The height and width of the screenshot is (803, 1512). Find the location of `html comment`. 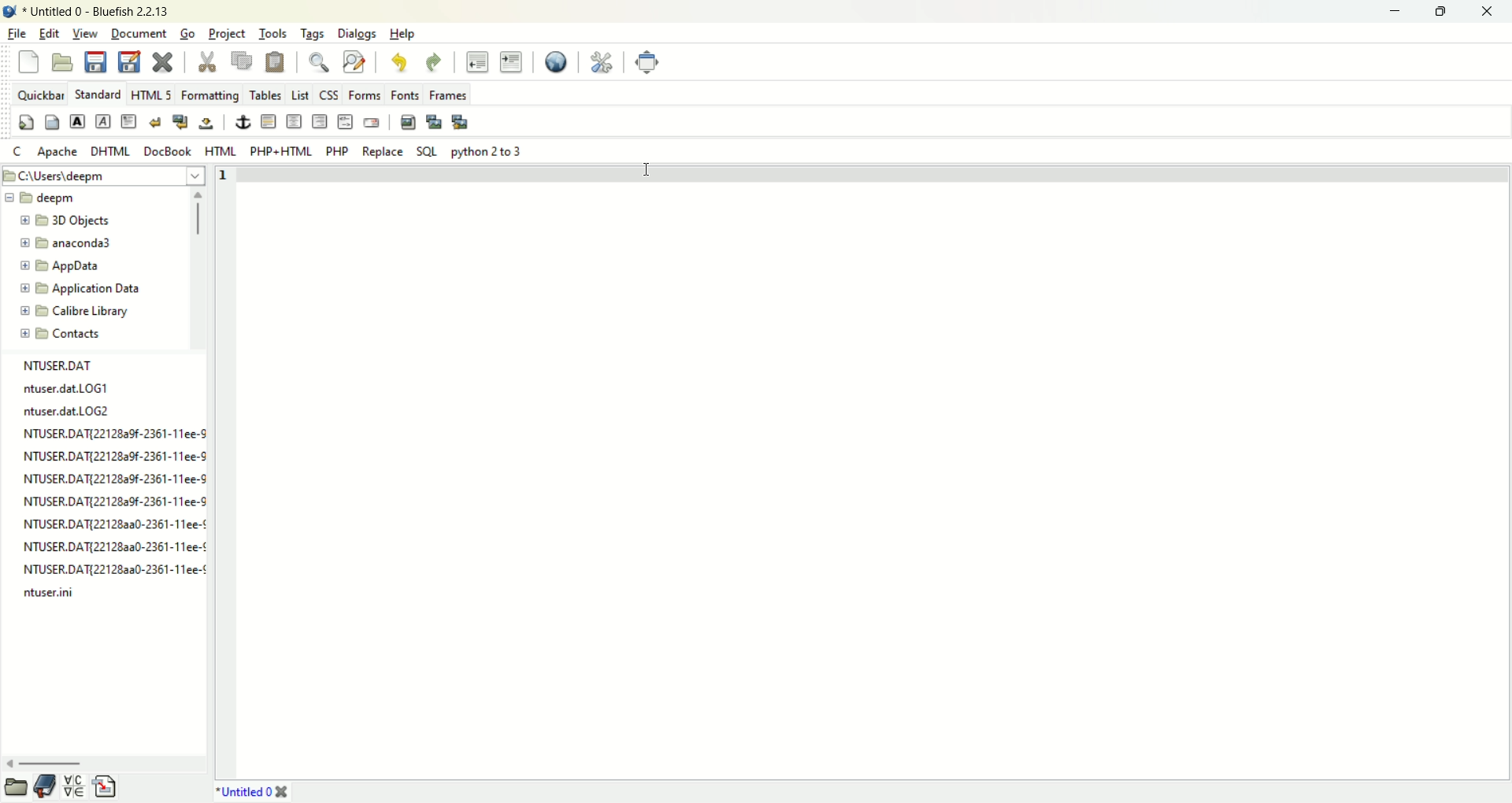

html comment is located at coordinates (344, 122).